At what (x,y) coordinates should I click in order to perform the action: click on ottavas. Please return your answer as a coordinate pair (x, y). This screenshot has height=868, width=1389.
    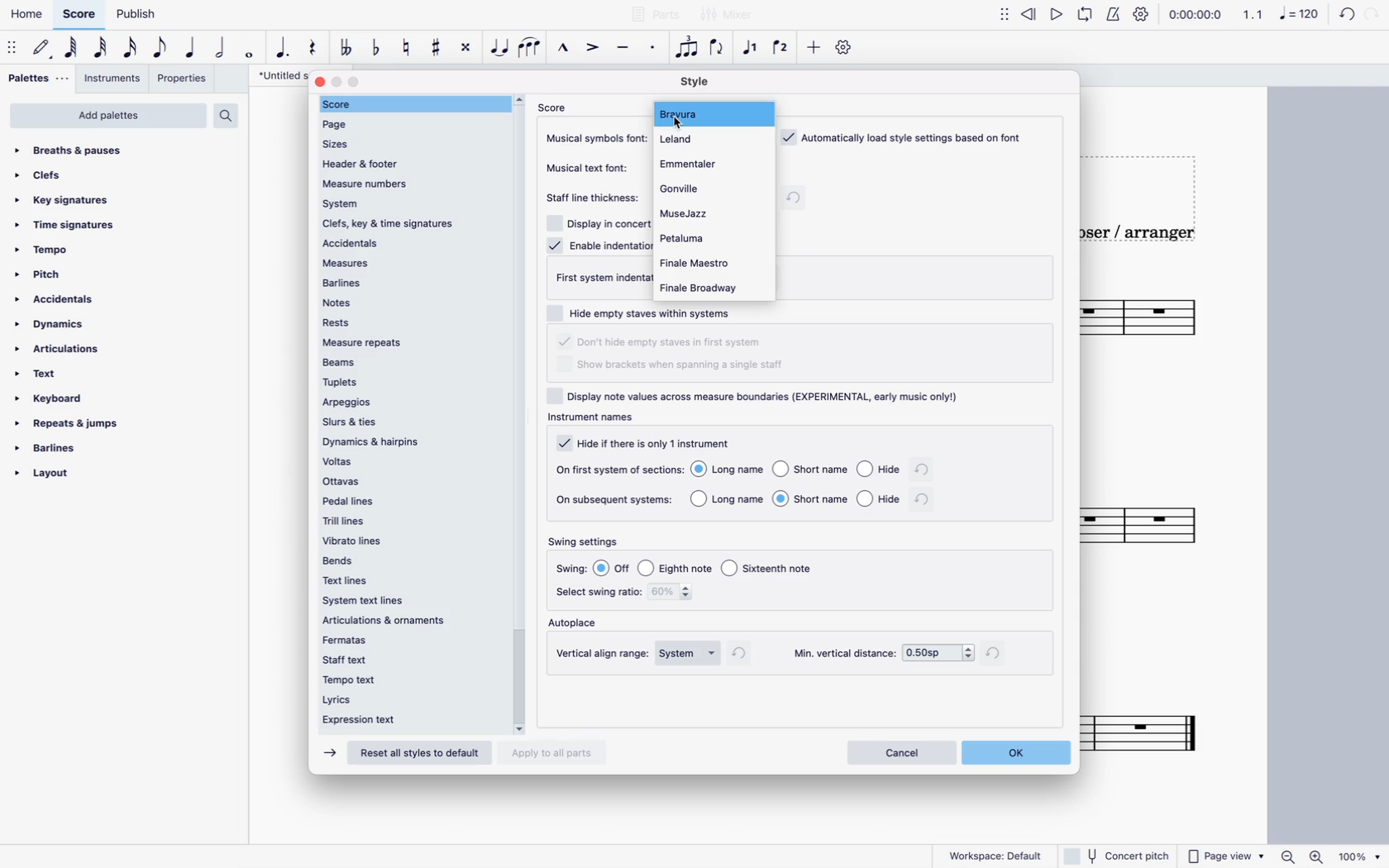
    Looking at the image, I should click on (412, 482).